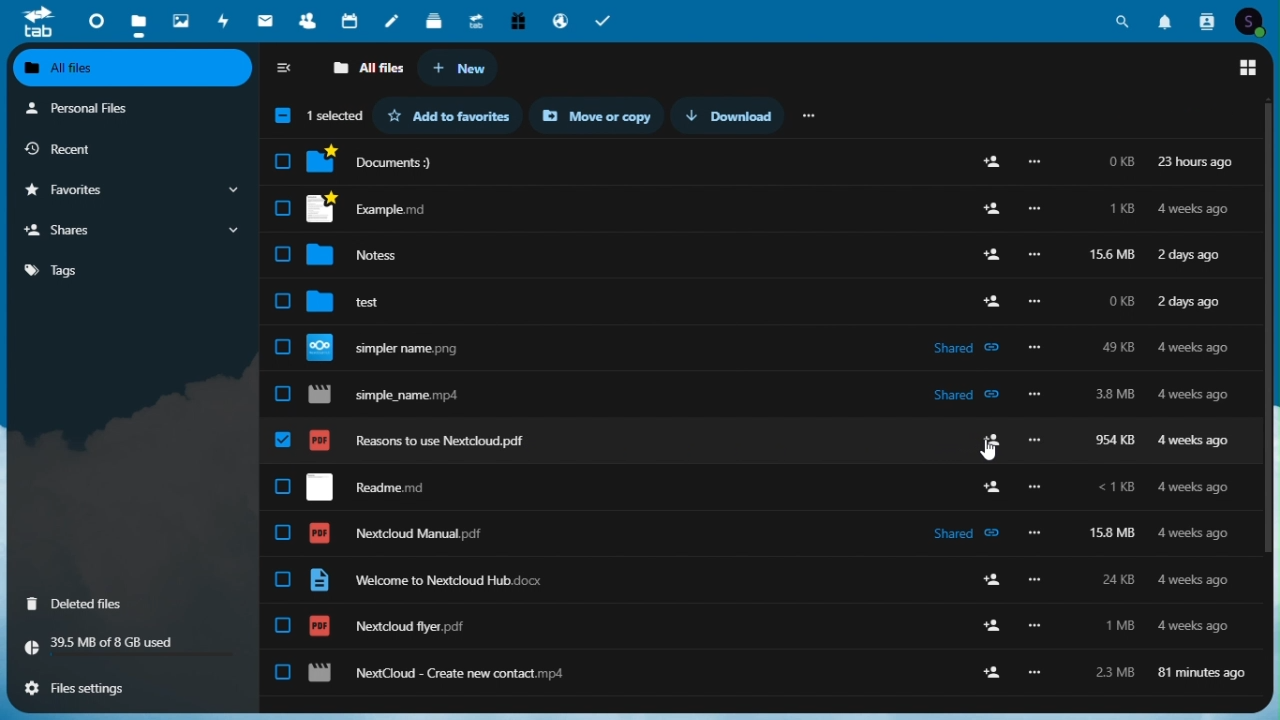 The height and width of the screenshot is (720, 1280). What do you see at coordinates (1116, 397) in the screenshot?
I see `3.8mb` at bounding box center [1116, 397].